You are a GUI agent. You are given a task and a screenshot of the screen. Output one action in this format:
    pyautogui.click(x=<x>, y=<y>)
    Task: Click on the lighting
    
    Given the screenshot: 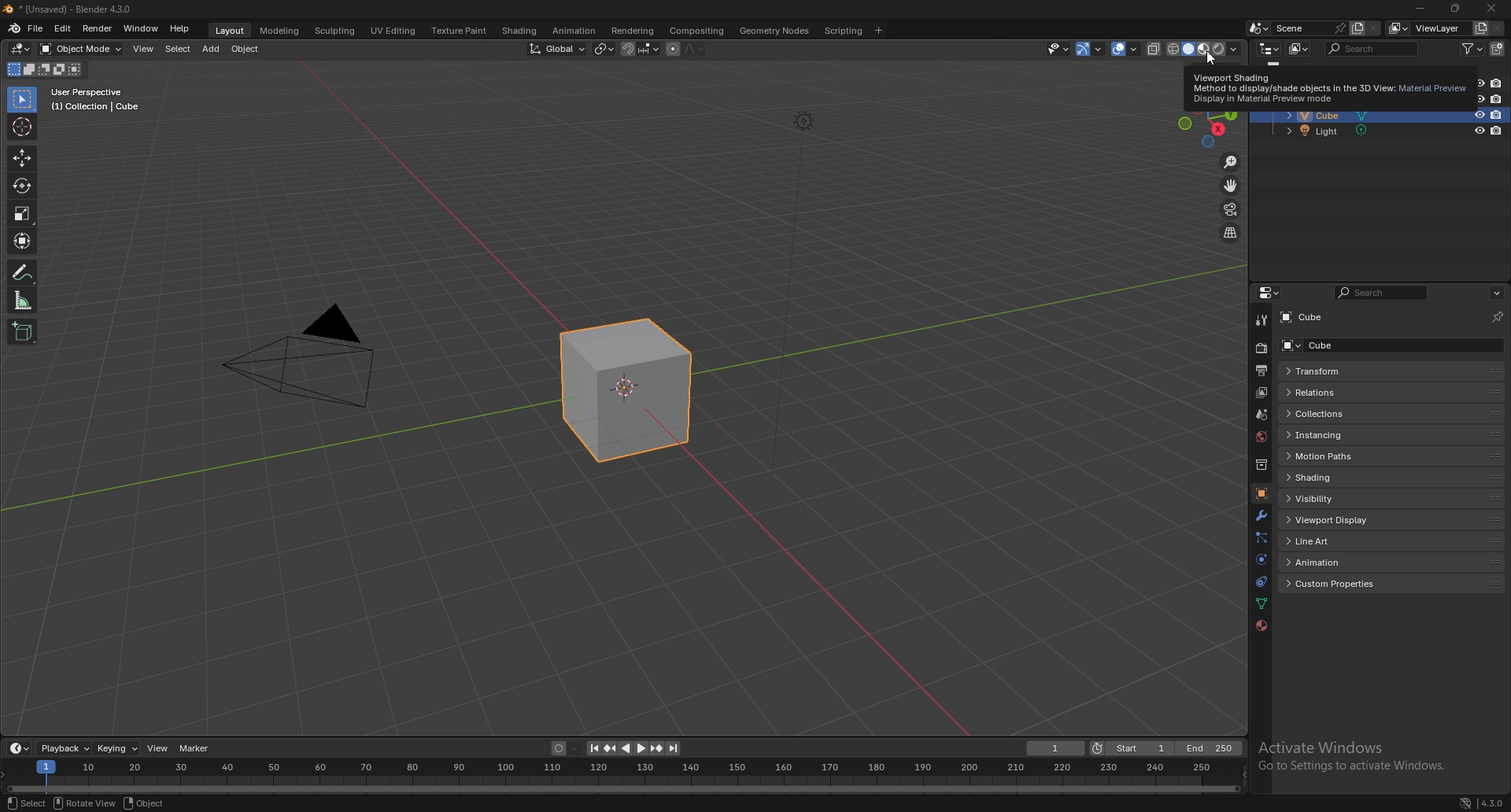 What is the action you would take?
    pyautogui.click(x=804, y=122)
    